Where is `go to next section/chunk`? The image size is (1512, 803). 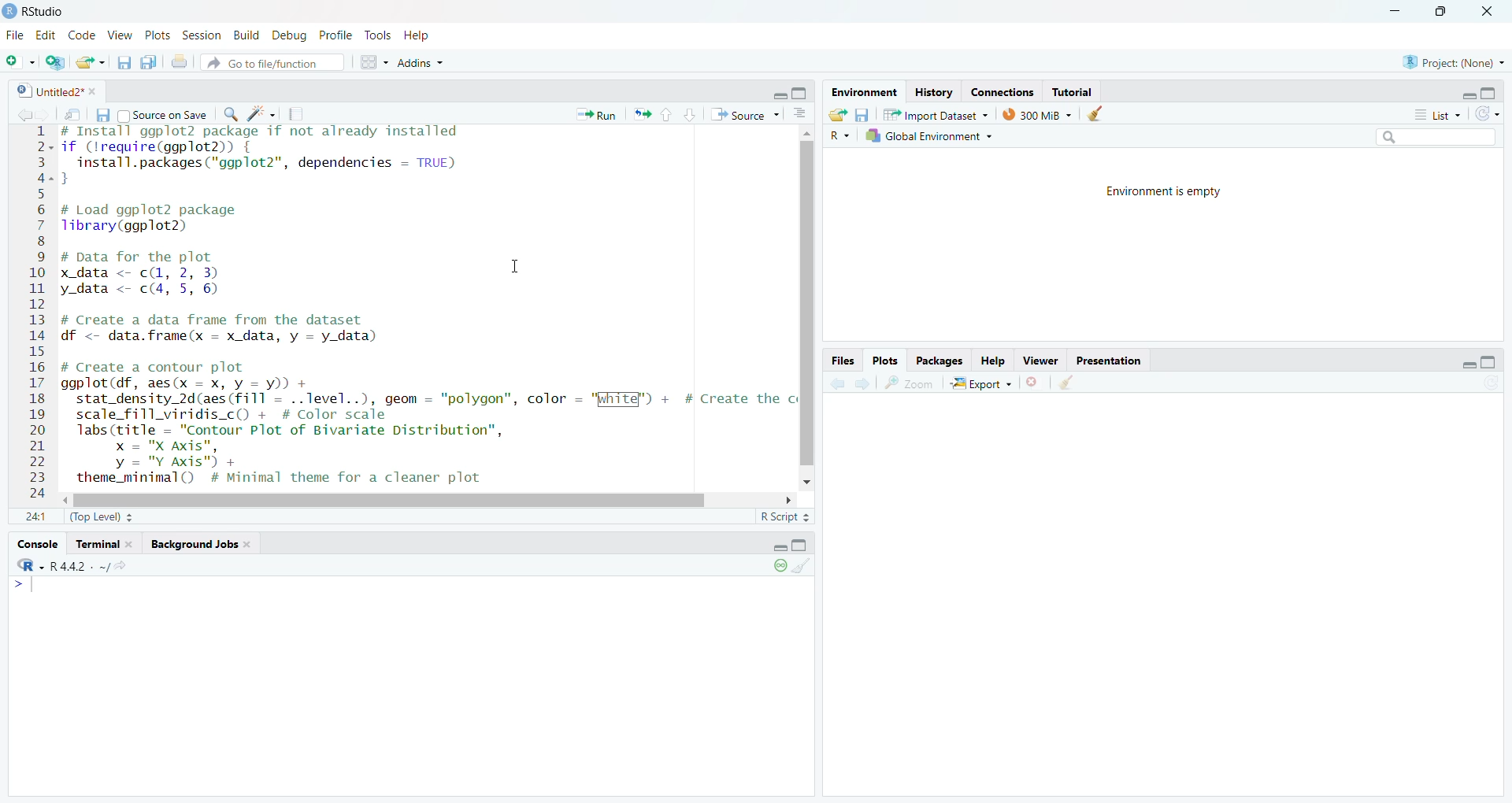
go to next section/chunk is located at coordinates (688, 115).